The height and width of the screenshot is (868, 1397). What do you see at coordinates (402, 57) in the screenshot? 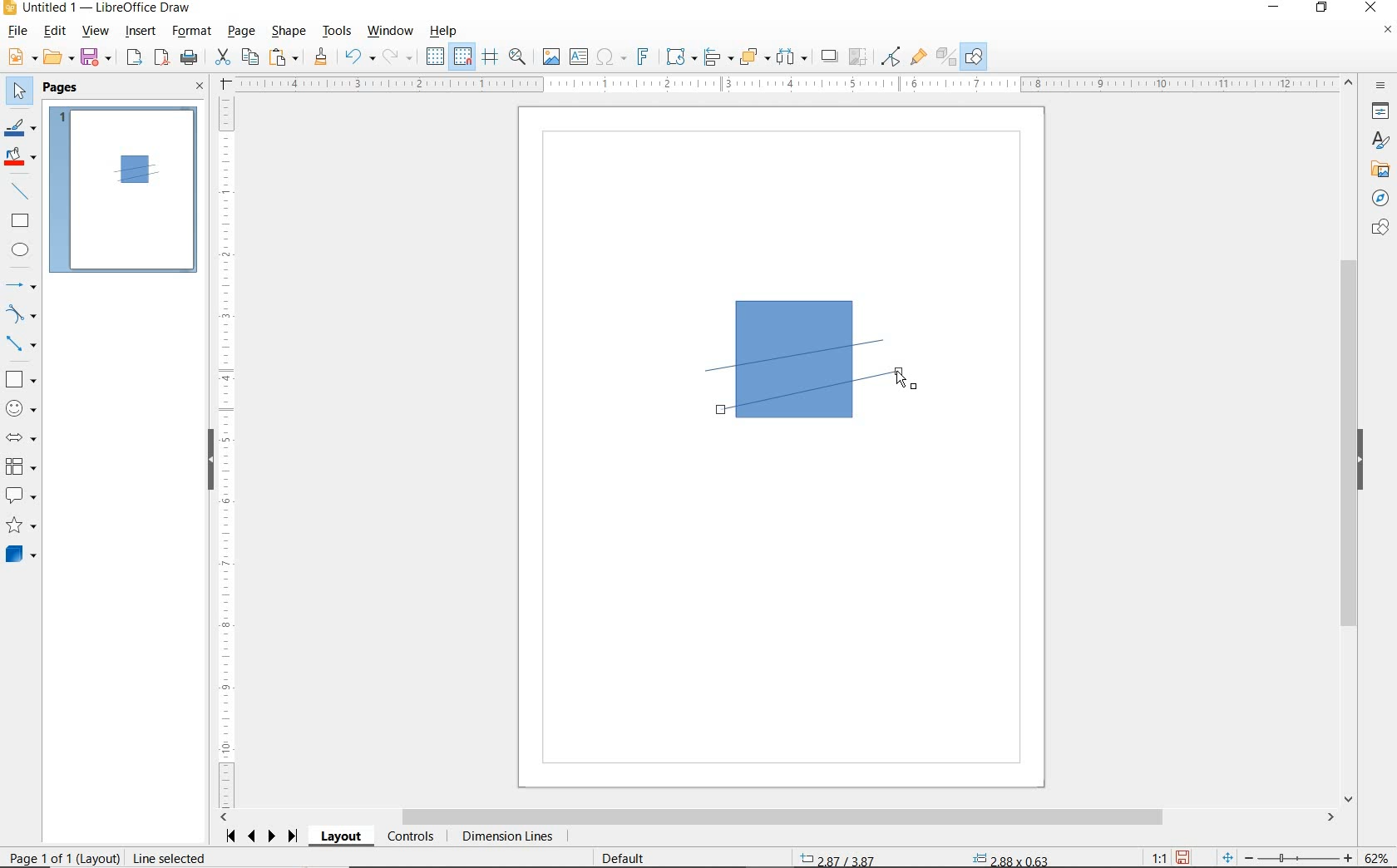
I see `REDO` at bounding box center [402, 57].